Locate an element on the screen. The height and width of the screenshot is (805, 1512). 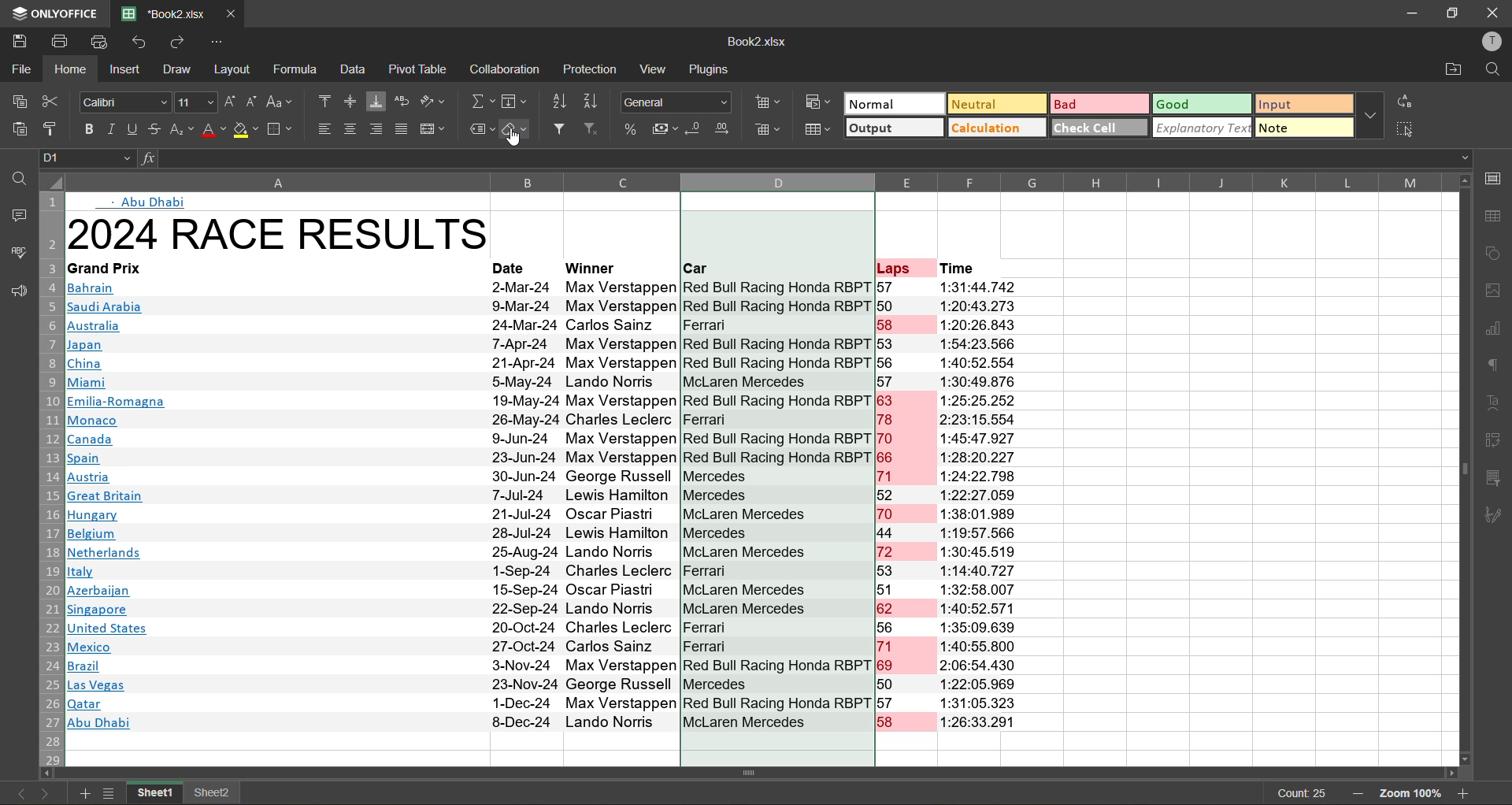
select all is located at coordinates (1404, 128).